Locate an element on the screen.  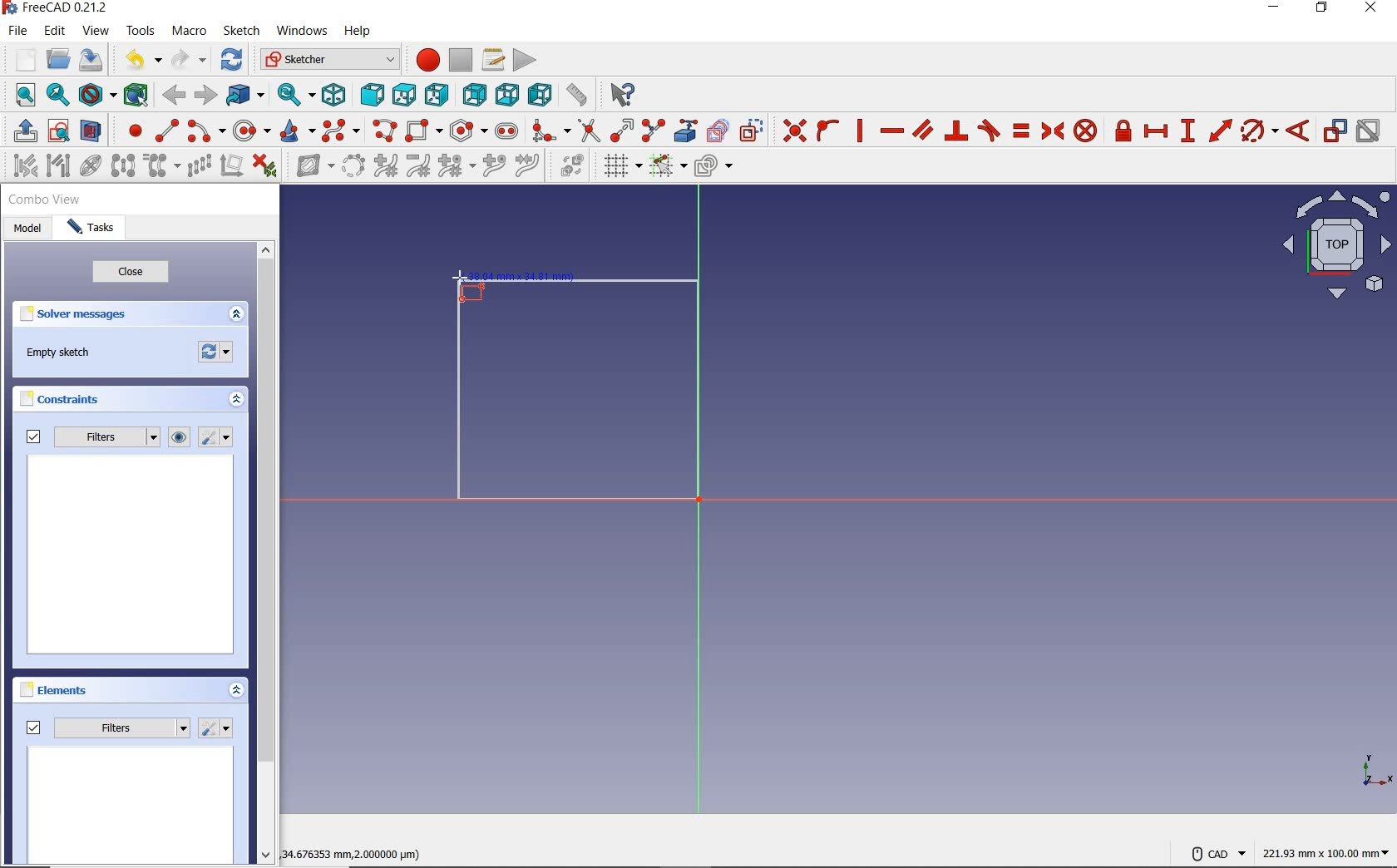
constrain horizontal ditance is located at coordinates (1158, 131).